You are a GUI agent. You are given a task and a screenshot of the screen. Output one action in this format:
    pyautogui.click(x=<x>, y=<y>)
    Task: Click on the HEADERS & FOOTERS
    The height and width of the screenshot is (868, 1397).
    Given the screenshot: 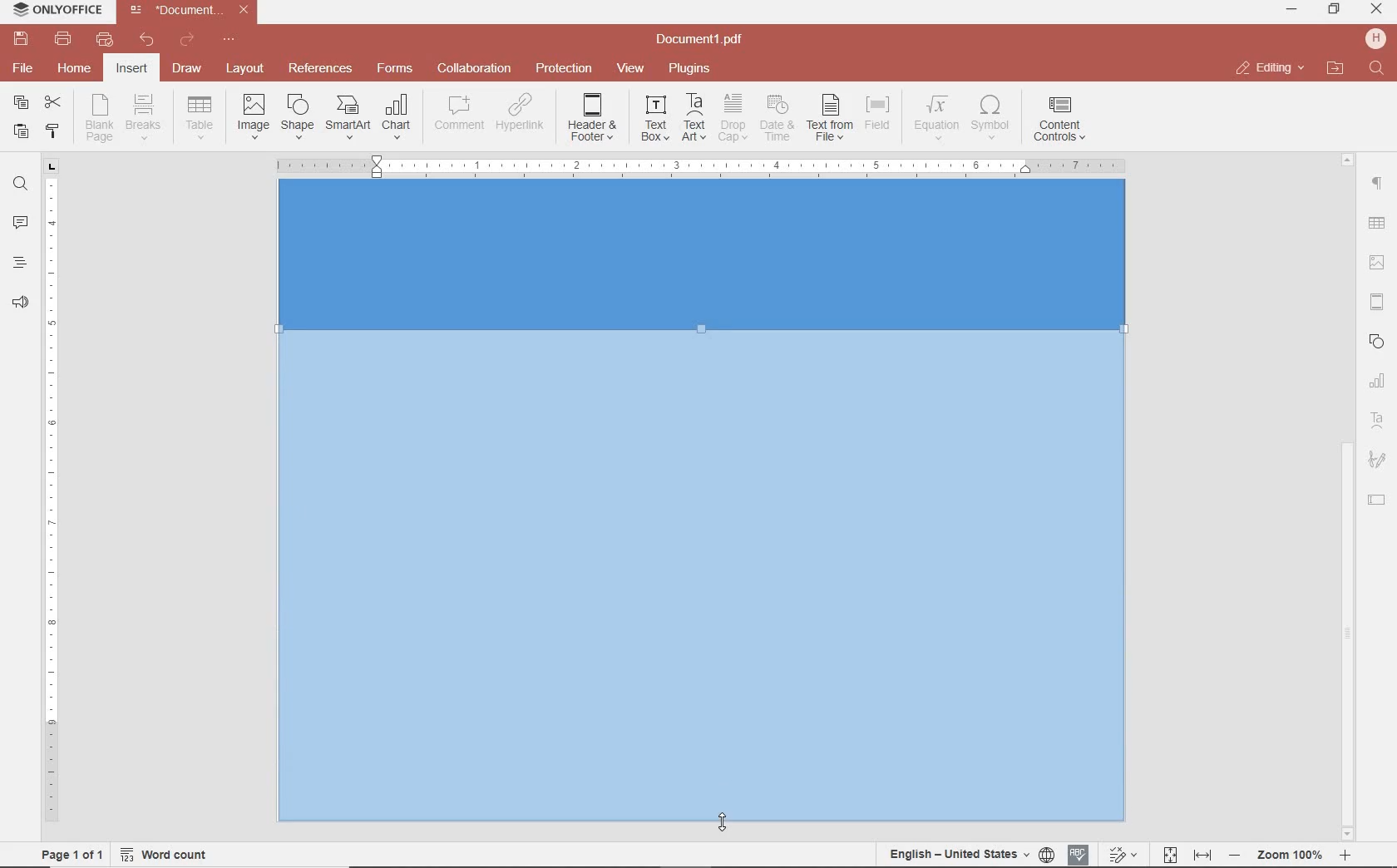 What is the action you would take?
    pyautogui.click(x=1378, y=303)
    